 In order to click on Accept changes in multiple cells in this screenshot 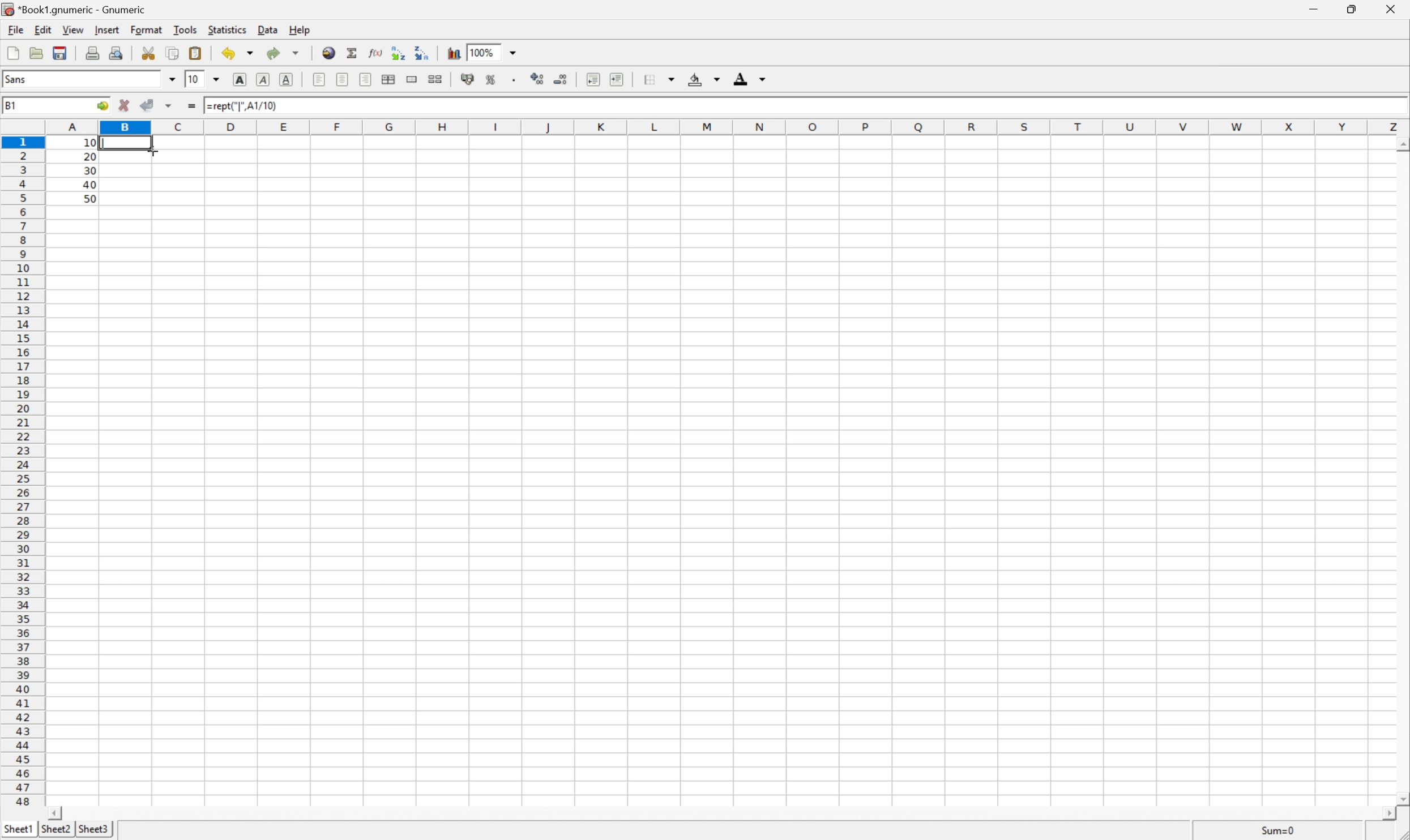, I will do `click(170, 106)`.